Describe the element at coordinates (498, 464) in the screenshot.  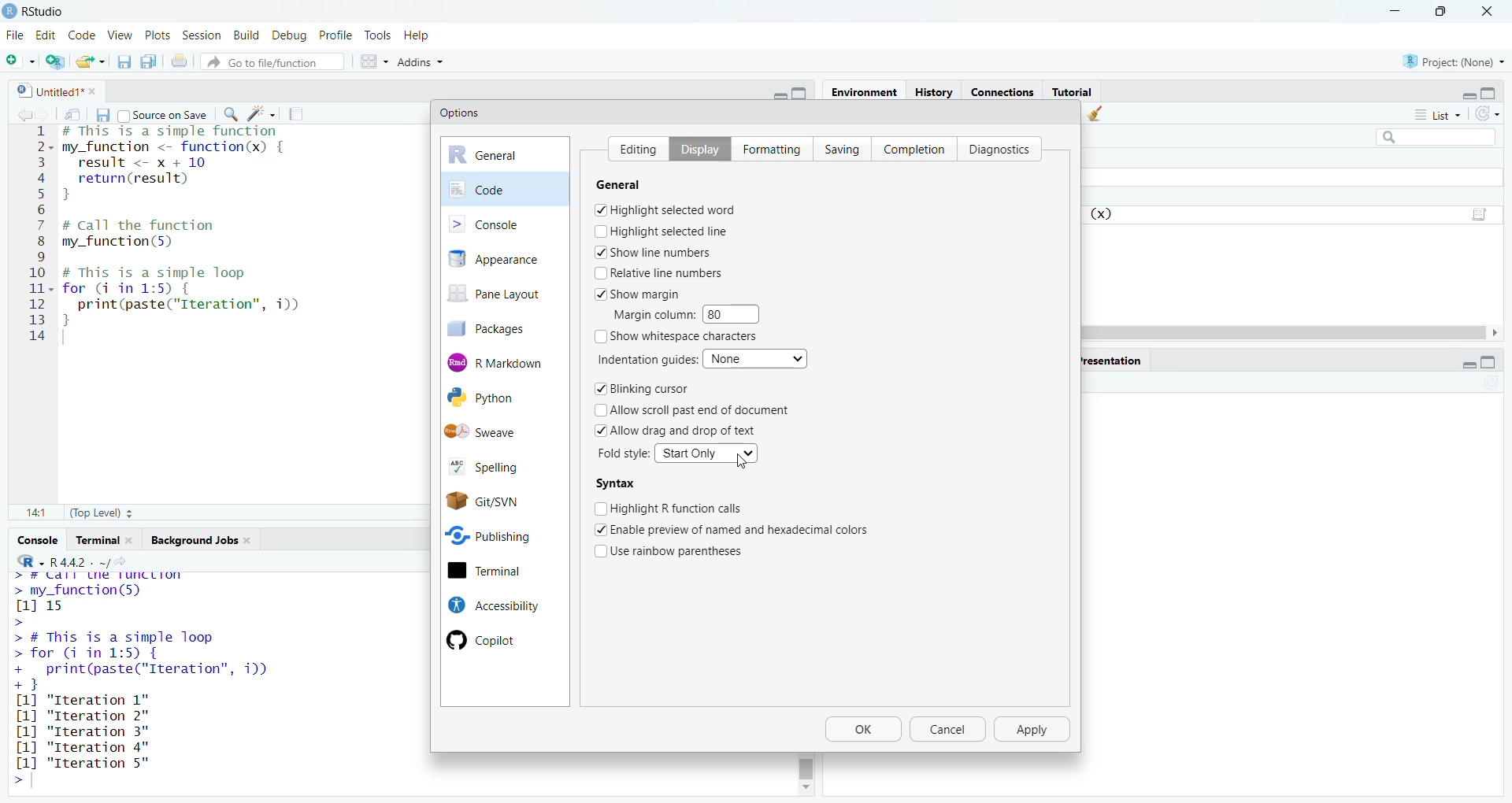
I see `spelling` at that location.